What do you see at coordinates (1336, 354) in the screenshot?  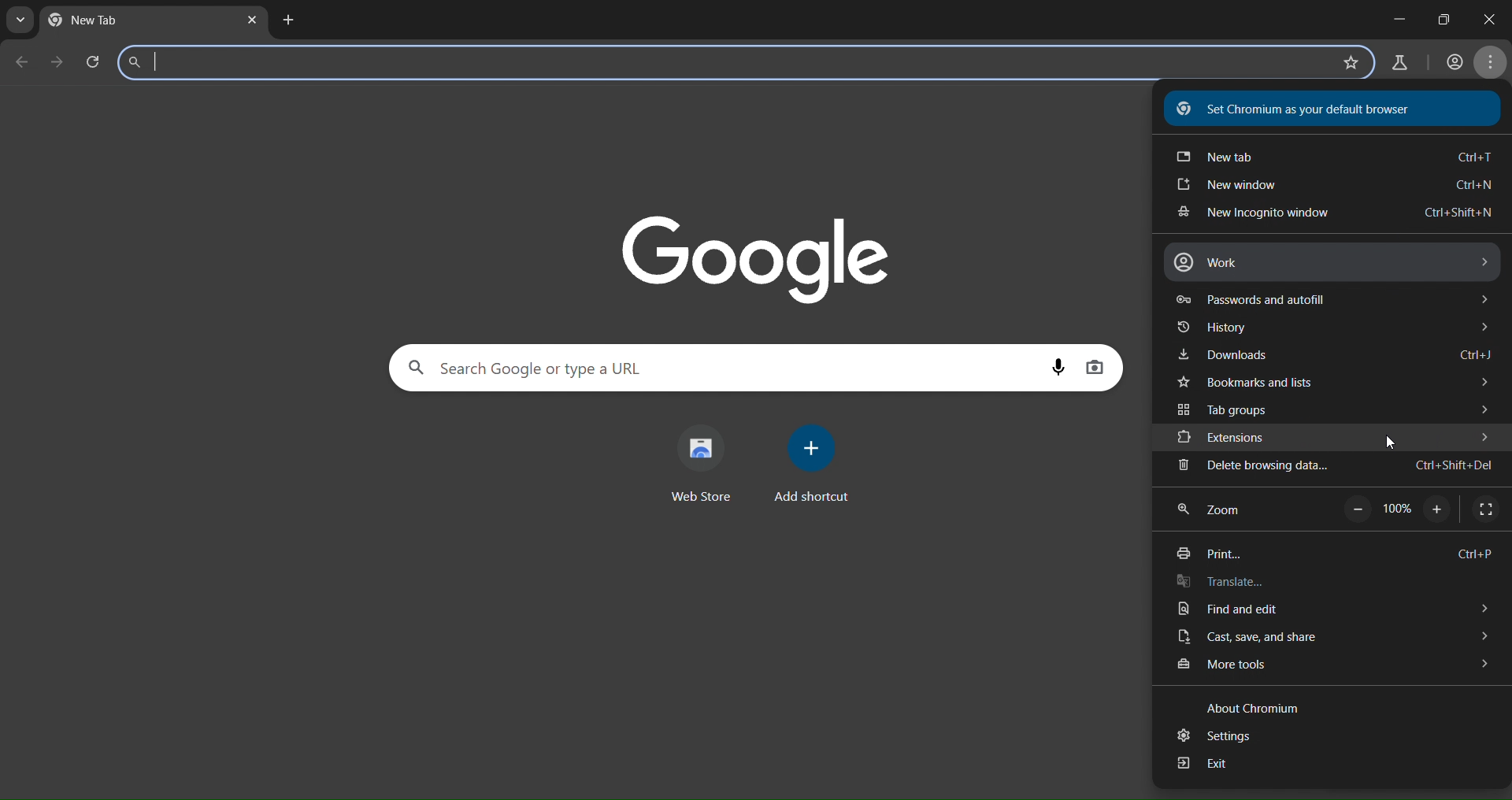 I see `downloads` at bounding box center [1336, 354].